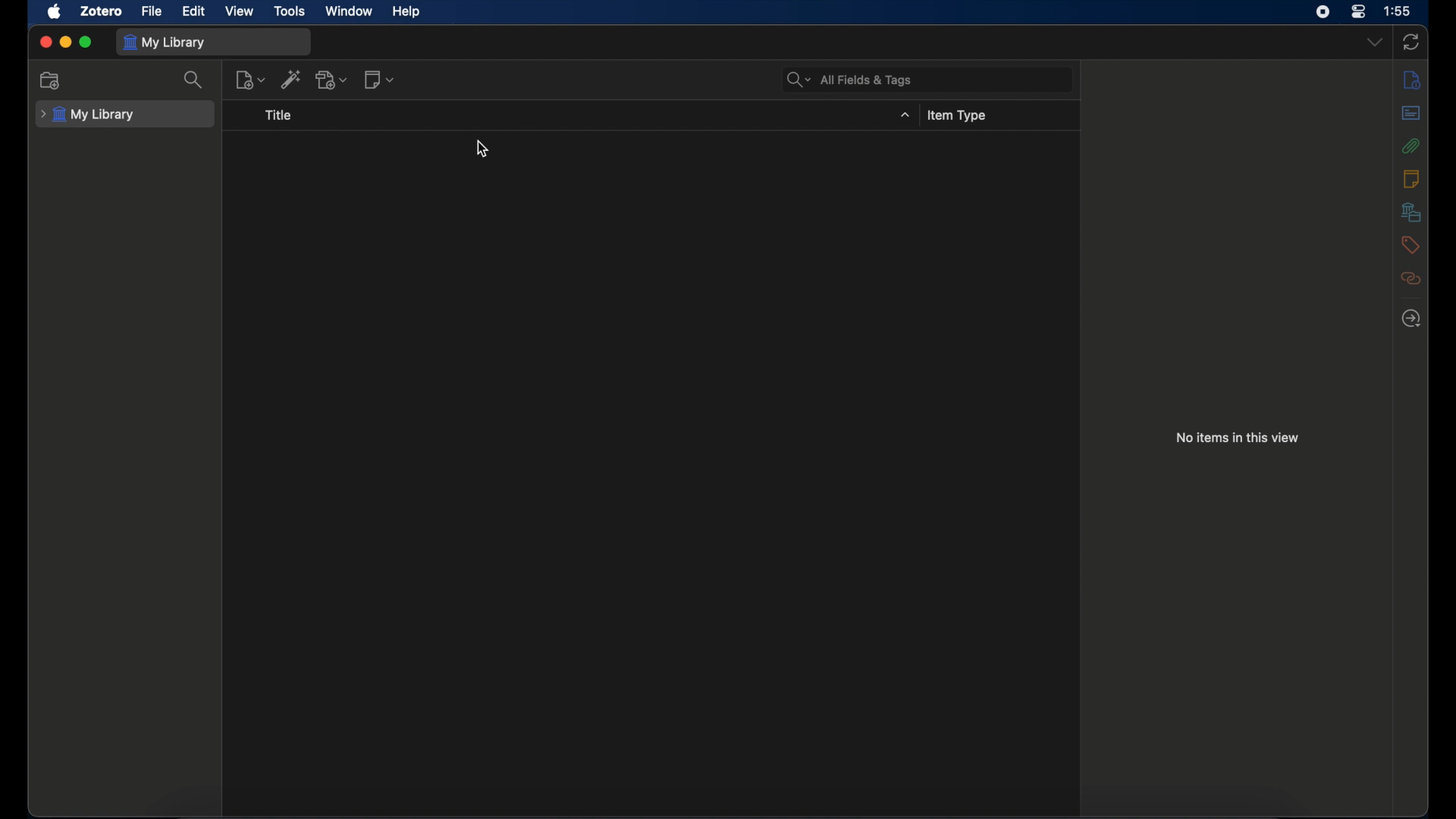 The image size is (1456, 819). What do you see at coordinates (193, 11) in the screenshot?
I see `edit` at bounding box center [193, 11].